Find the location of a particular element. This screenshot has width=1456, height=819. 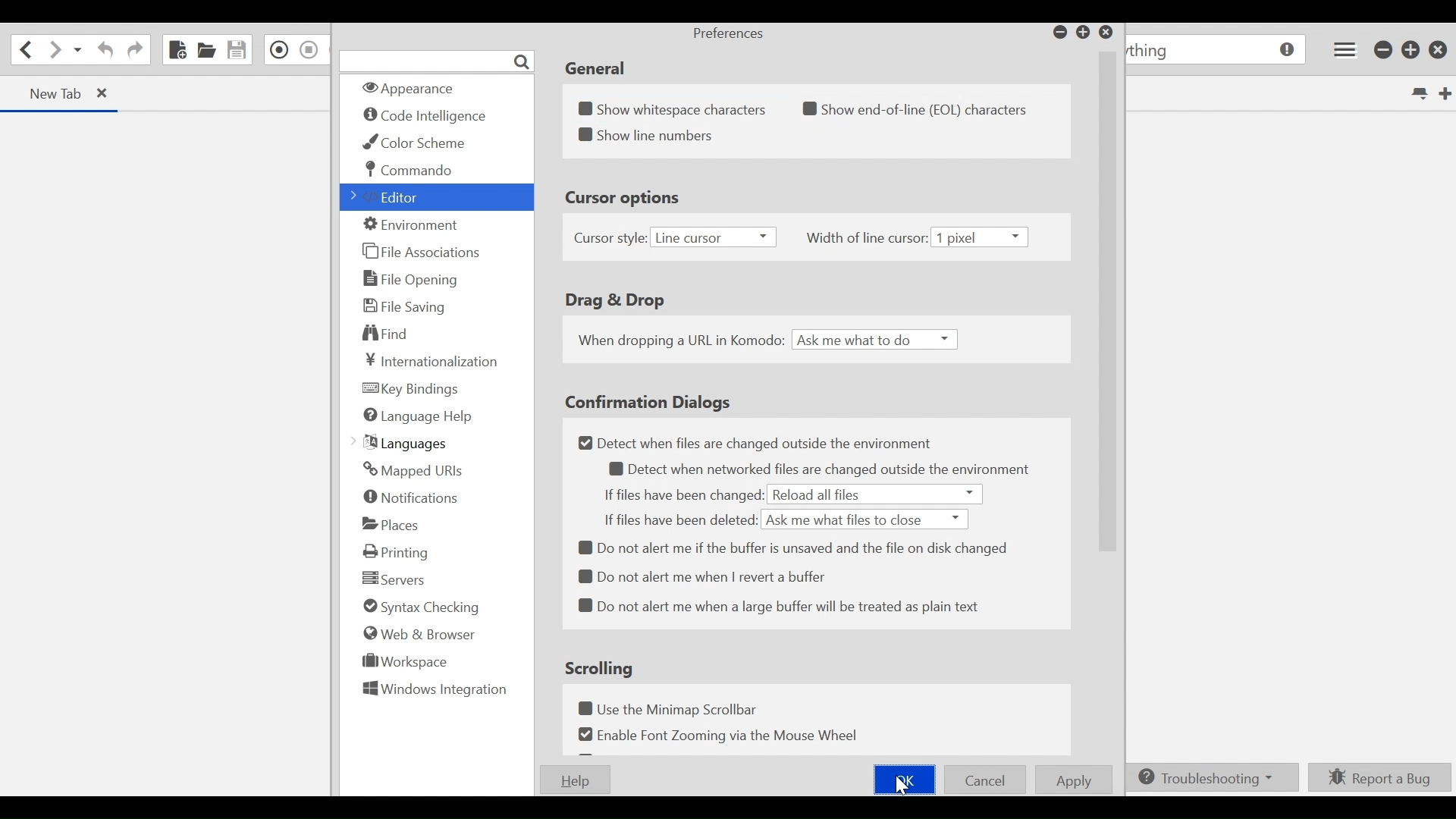

ask me what files to close is located at coordinates (866, 519).